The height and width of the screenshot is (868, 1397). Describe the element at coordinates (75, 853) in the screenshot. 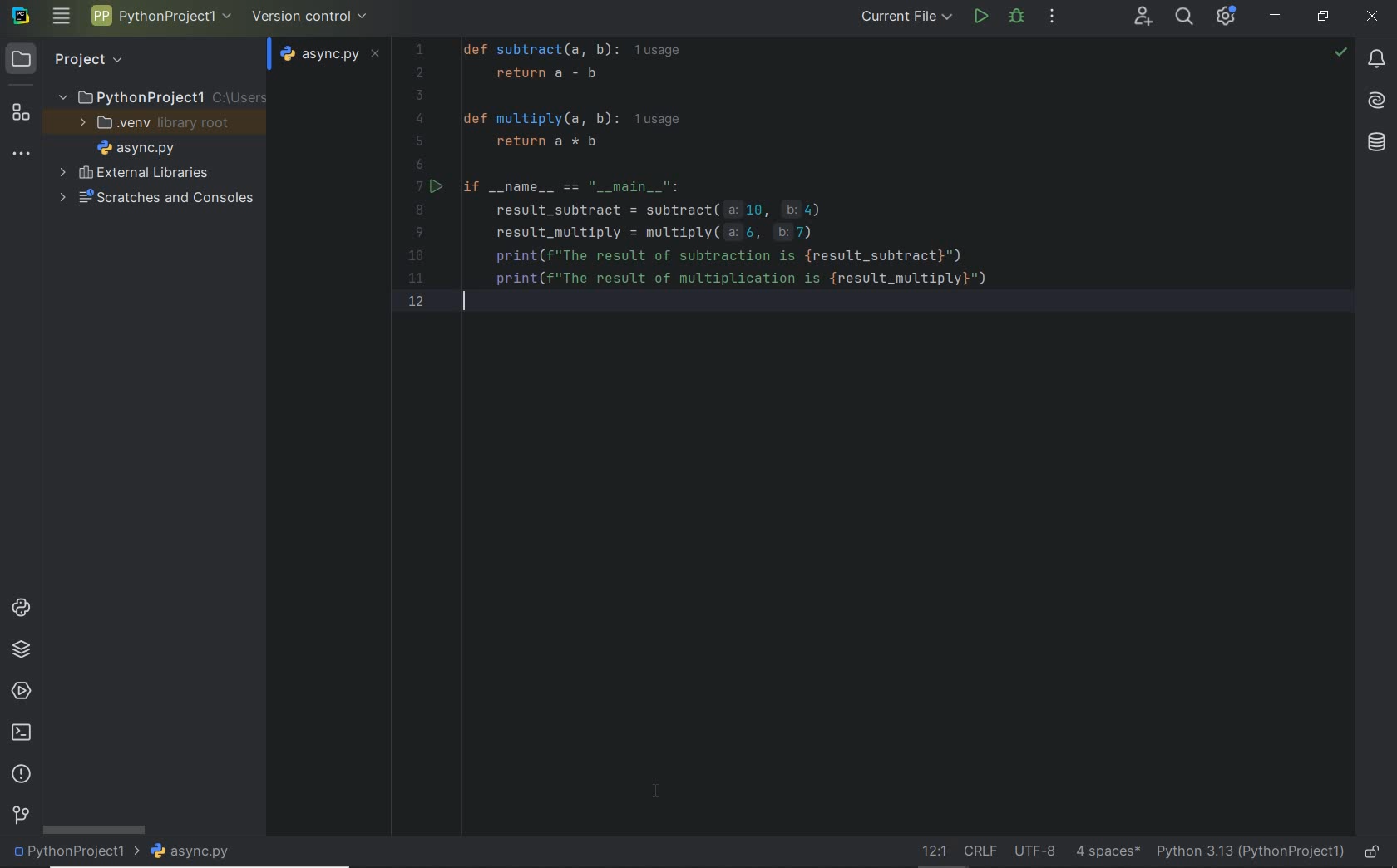

I see `project name` at that location.